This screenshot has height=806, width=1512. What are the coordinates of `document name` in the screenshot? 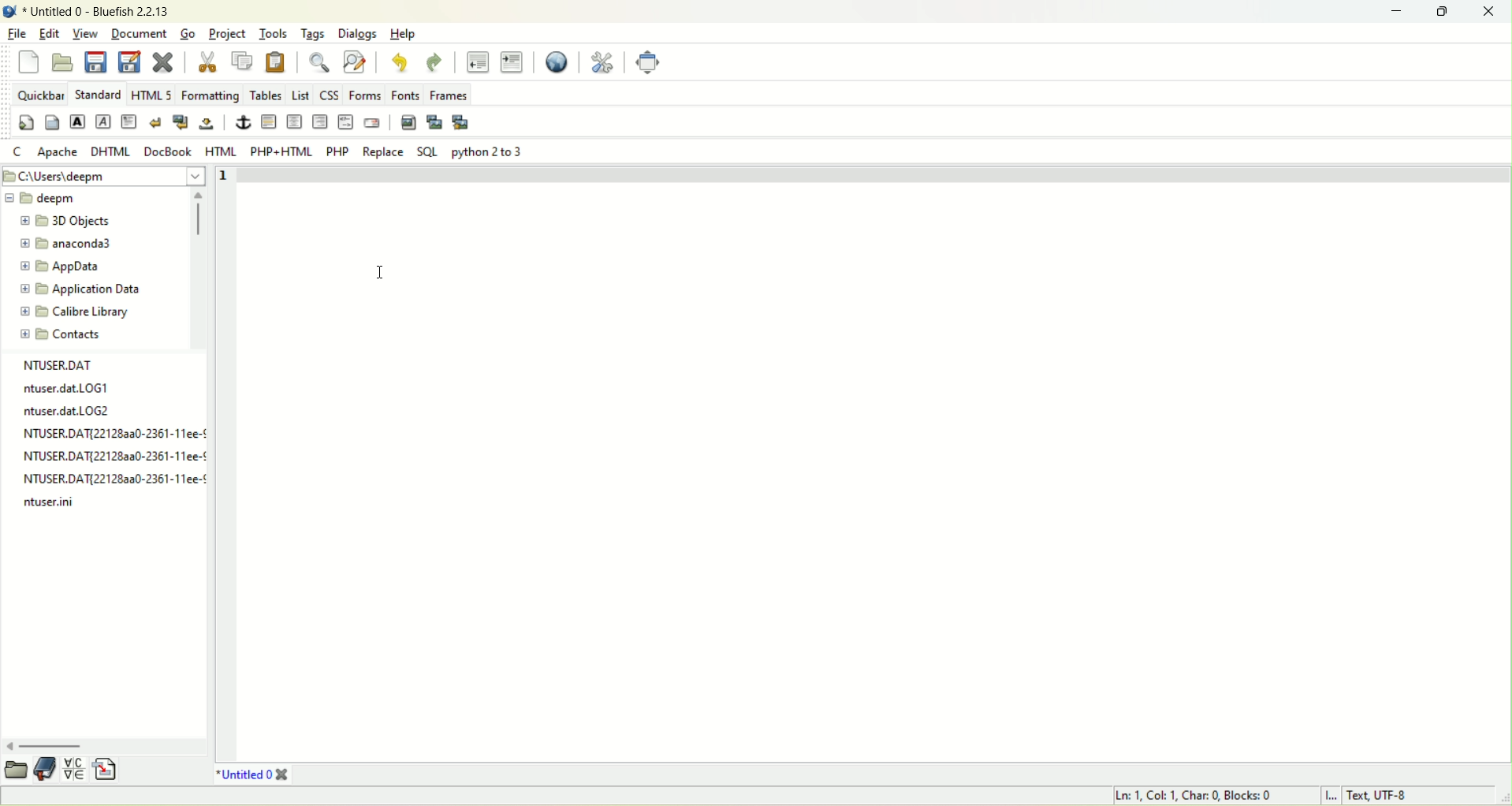 It's located at (99, 9).